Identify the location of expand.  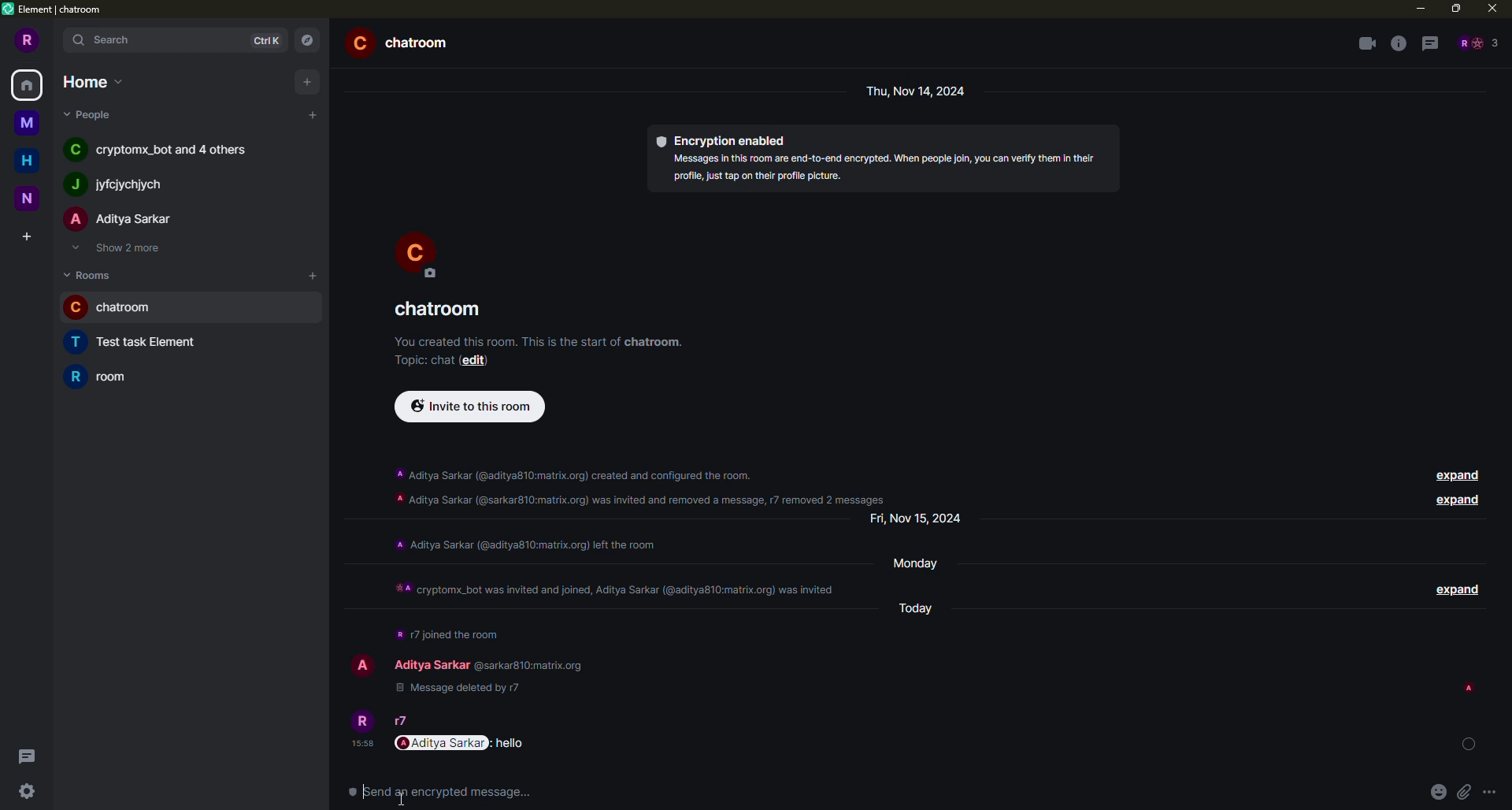
(1462, 501).